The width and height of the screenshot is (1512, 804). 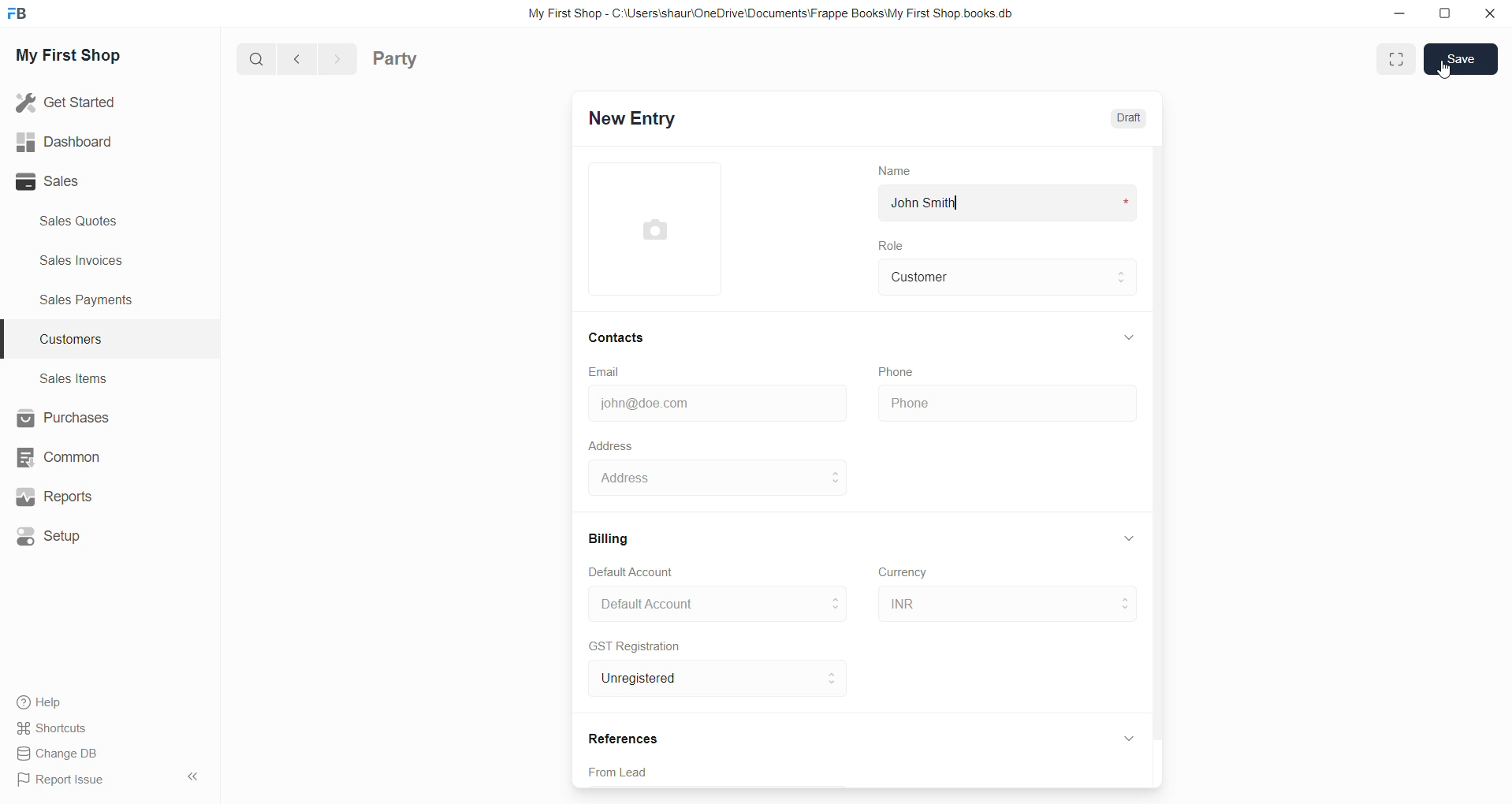 What do you see at coordinates (693, 602) in the screenshot?
I see `Default account ` at bounding box center [693, 602].